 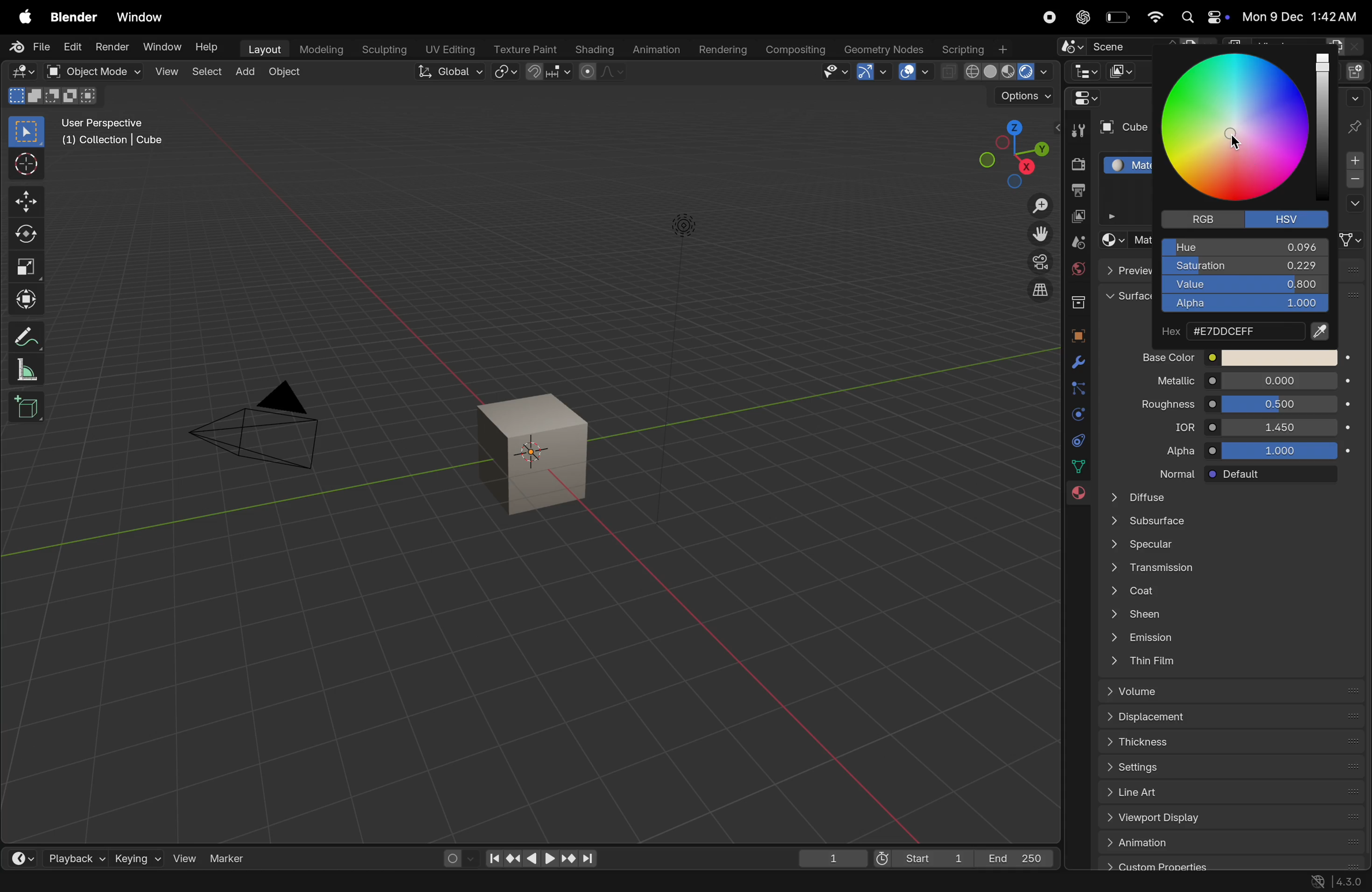 What do you see at coordinates (1280, 426) in the screenshot?
I see `1.450` at bounding box center [1280, 426].